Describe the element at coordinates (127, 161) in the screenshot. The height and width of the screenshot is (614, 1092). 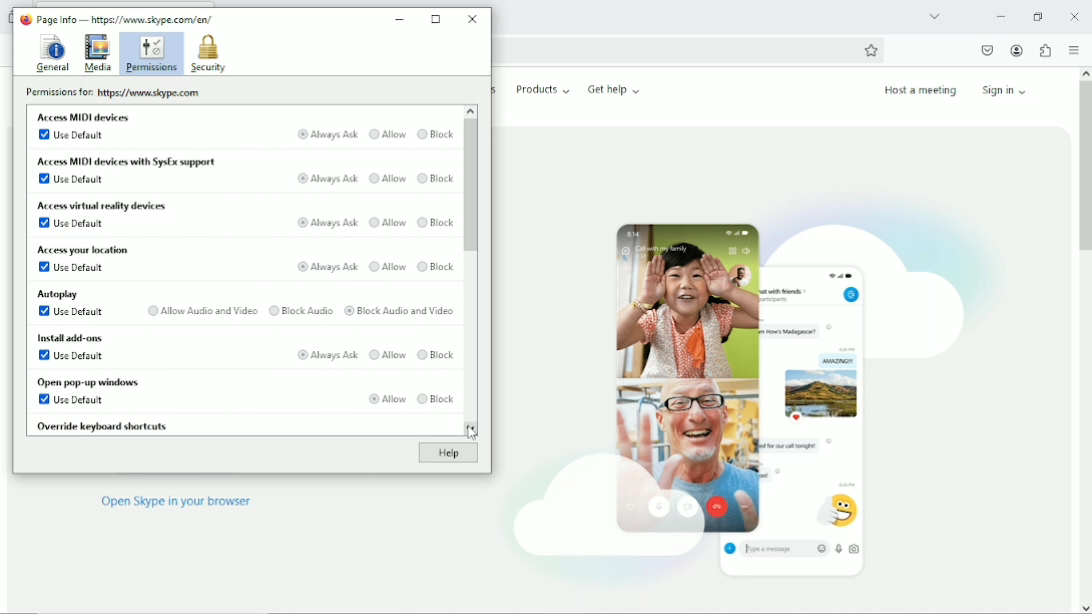
I see `Access MIDI devices with SysFx support` at that location.